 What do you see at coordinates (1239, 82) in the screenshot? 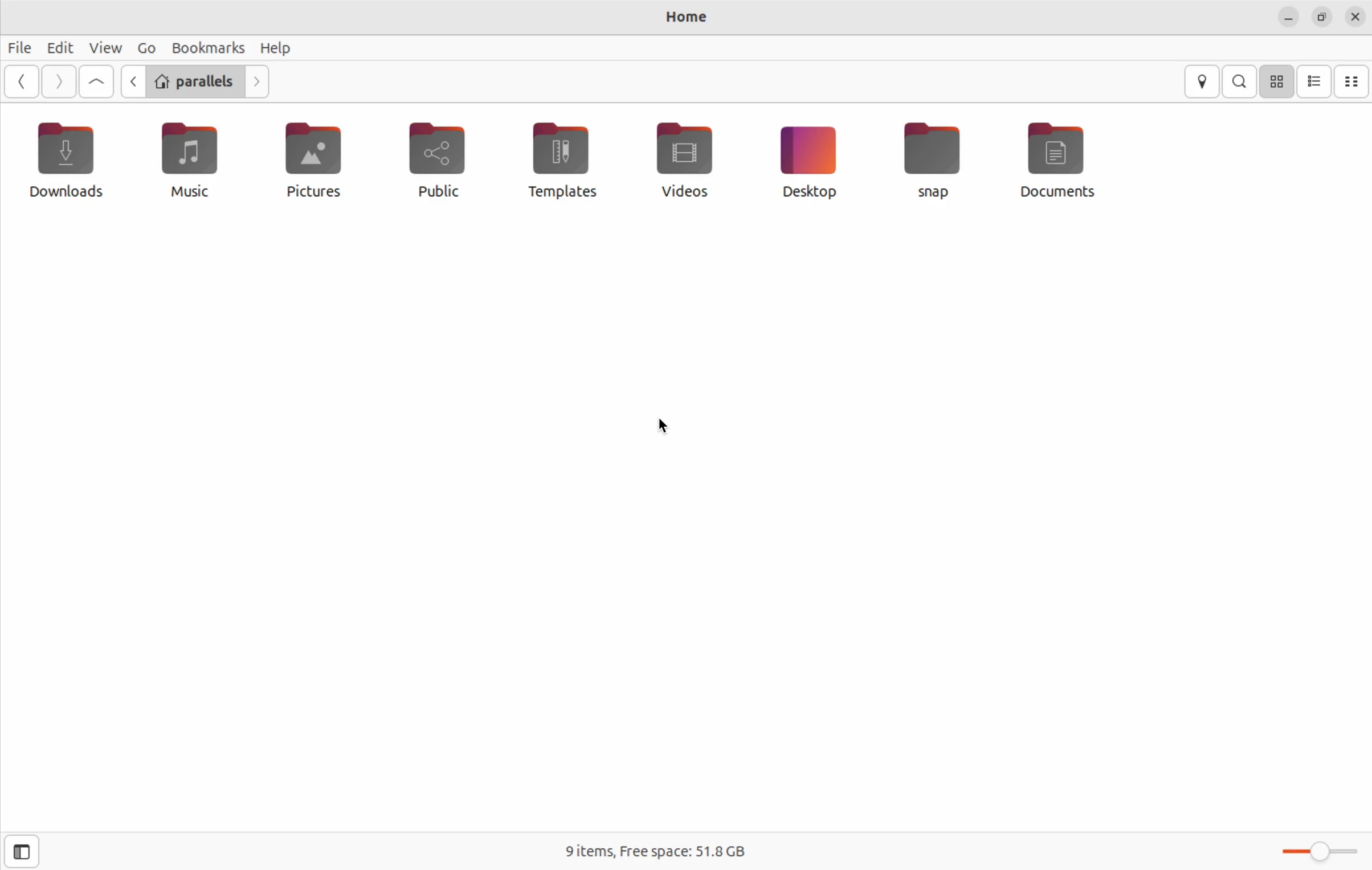
I see `search` at bounding box center [1239, 82].